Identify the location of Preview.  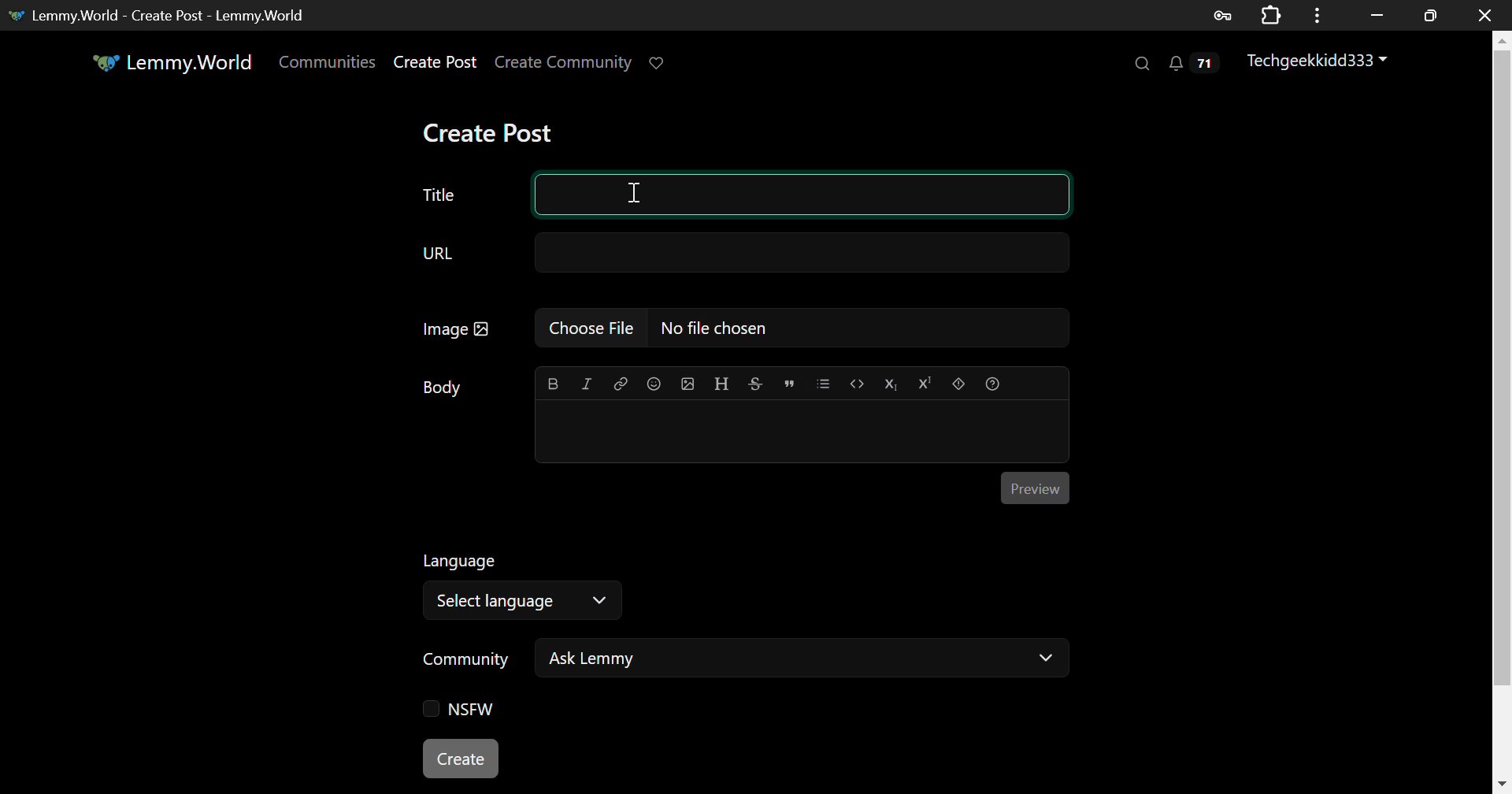
(1036, 488).